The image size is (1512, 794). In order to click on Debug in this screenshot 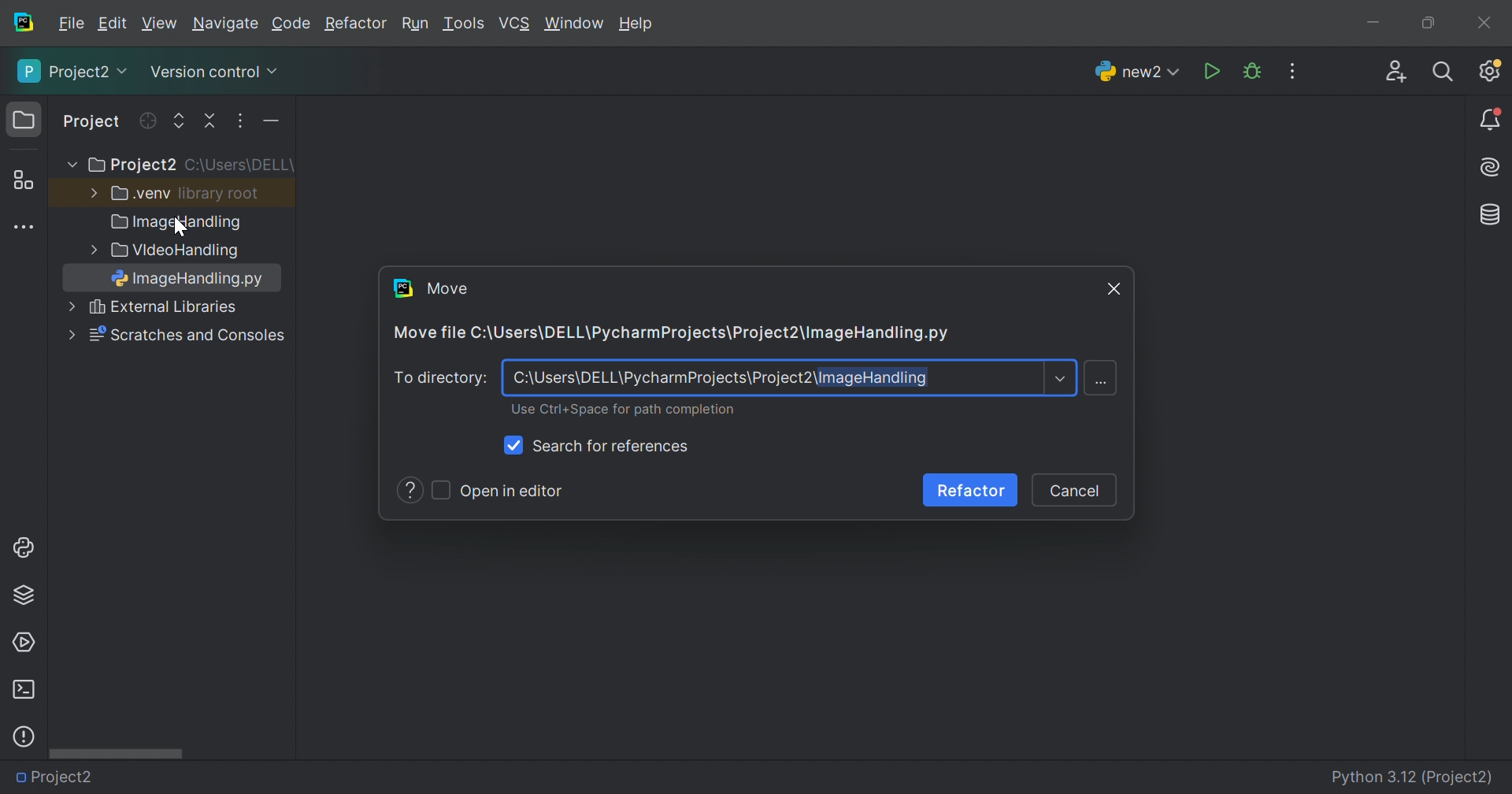, I will do `click(1252, 72)`.